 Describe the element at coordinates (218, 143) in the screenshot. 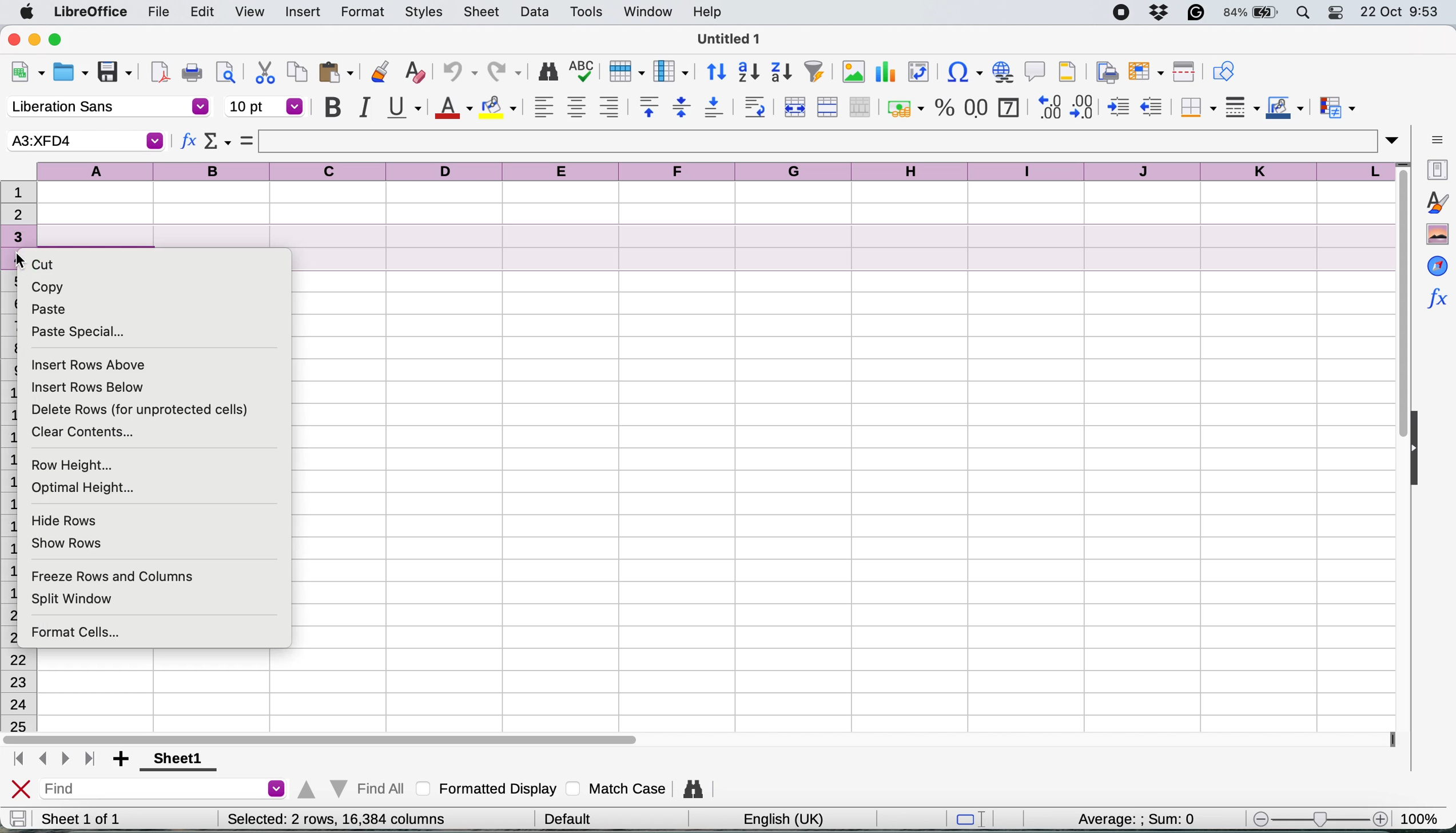

I see `select wizard` at that location.